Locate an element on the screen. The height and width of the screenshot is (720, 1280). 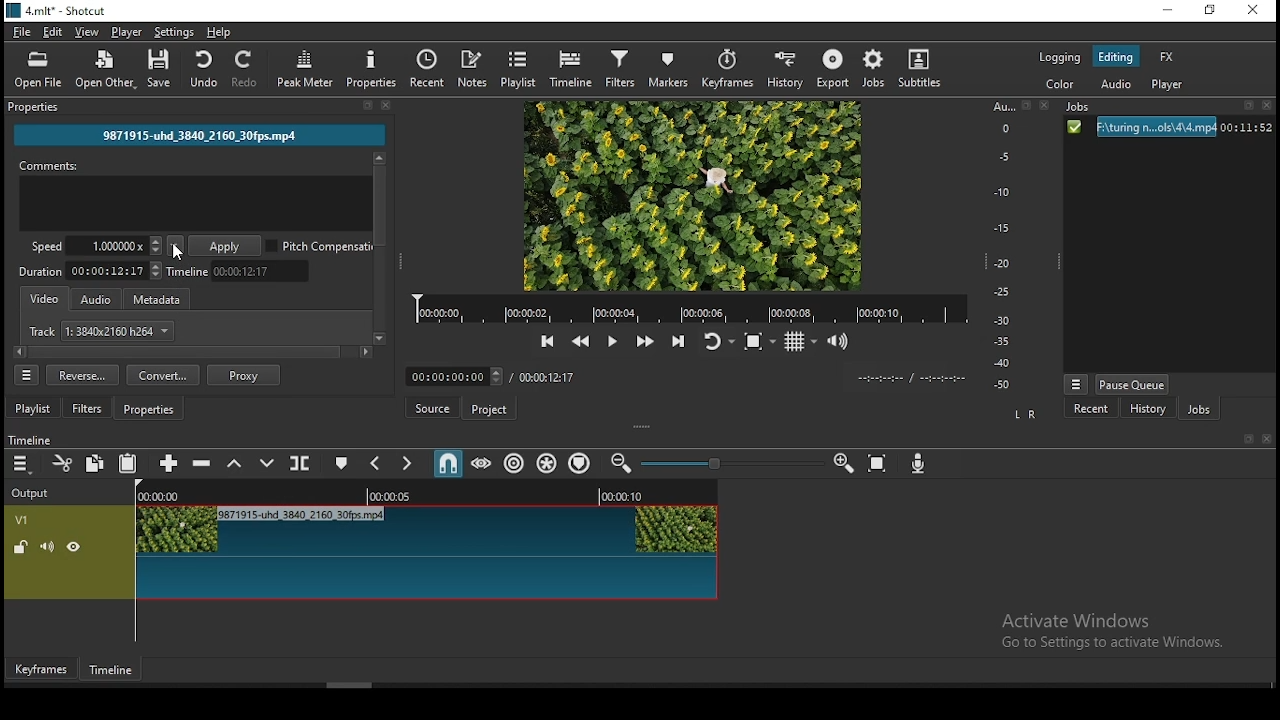
metadata is located at coordinates (159, 299).